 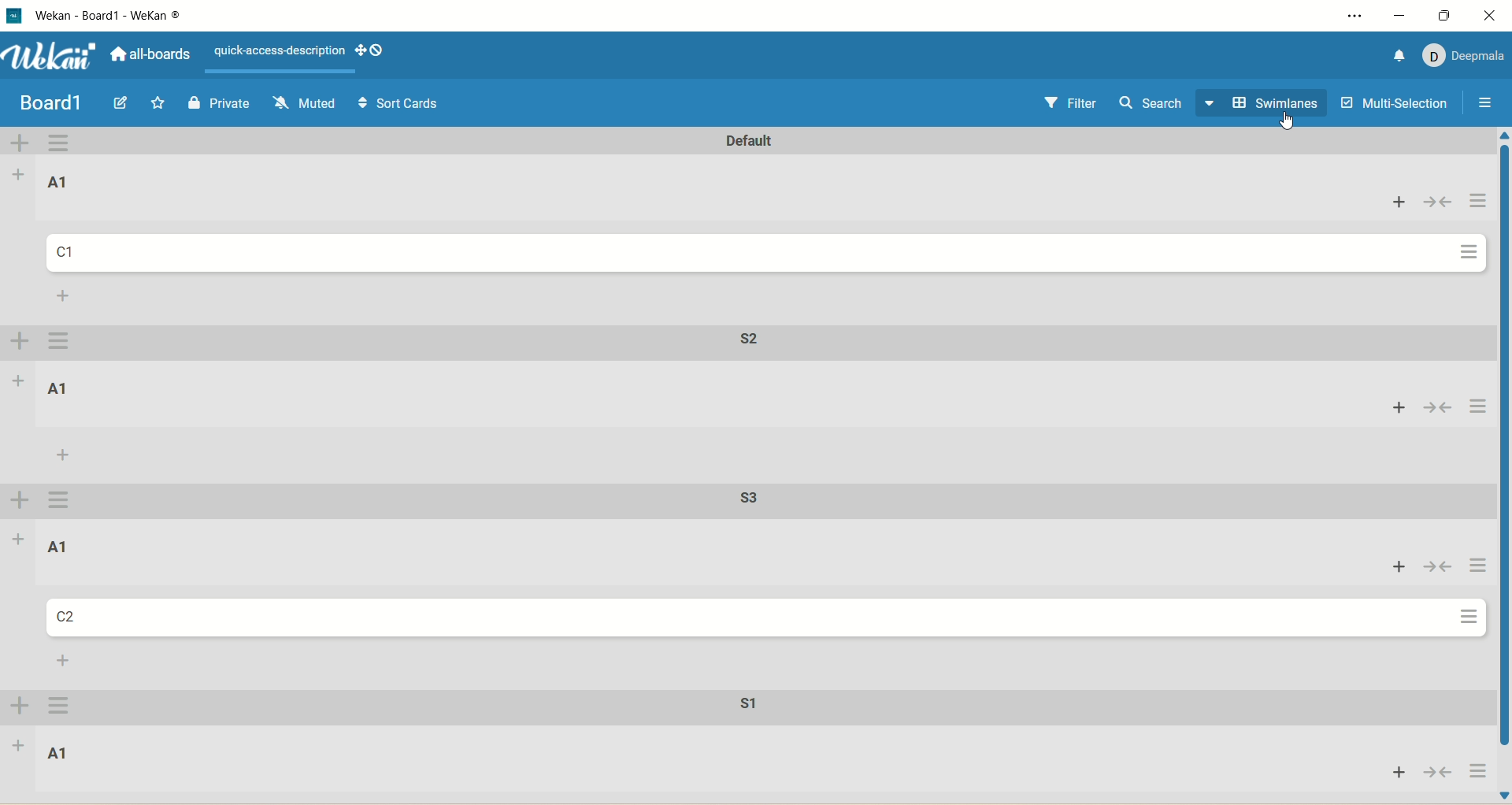 What do you see at coordinates (1265, 104) in the screenshot?
I see `swimlanes` at bounding box center [1265, 104].